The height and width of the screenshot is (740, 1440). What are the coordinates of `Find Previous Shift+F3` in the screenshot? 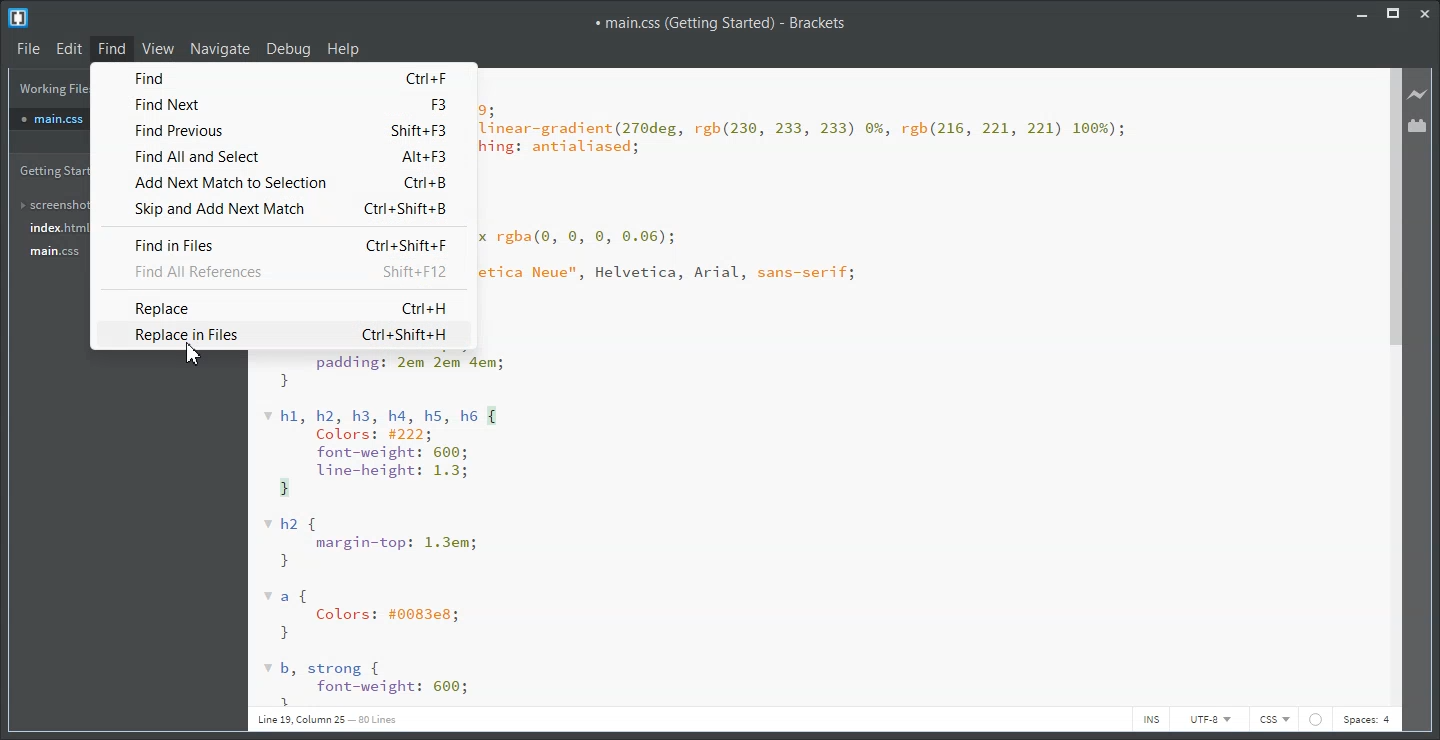 It's located at (287, 130).